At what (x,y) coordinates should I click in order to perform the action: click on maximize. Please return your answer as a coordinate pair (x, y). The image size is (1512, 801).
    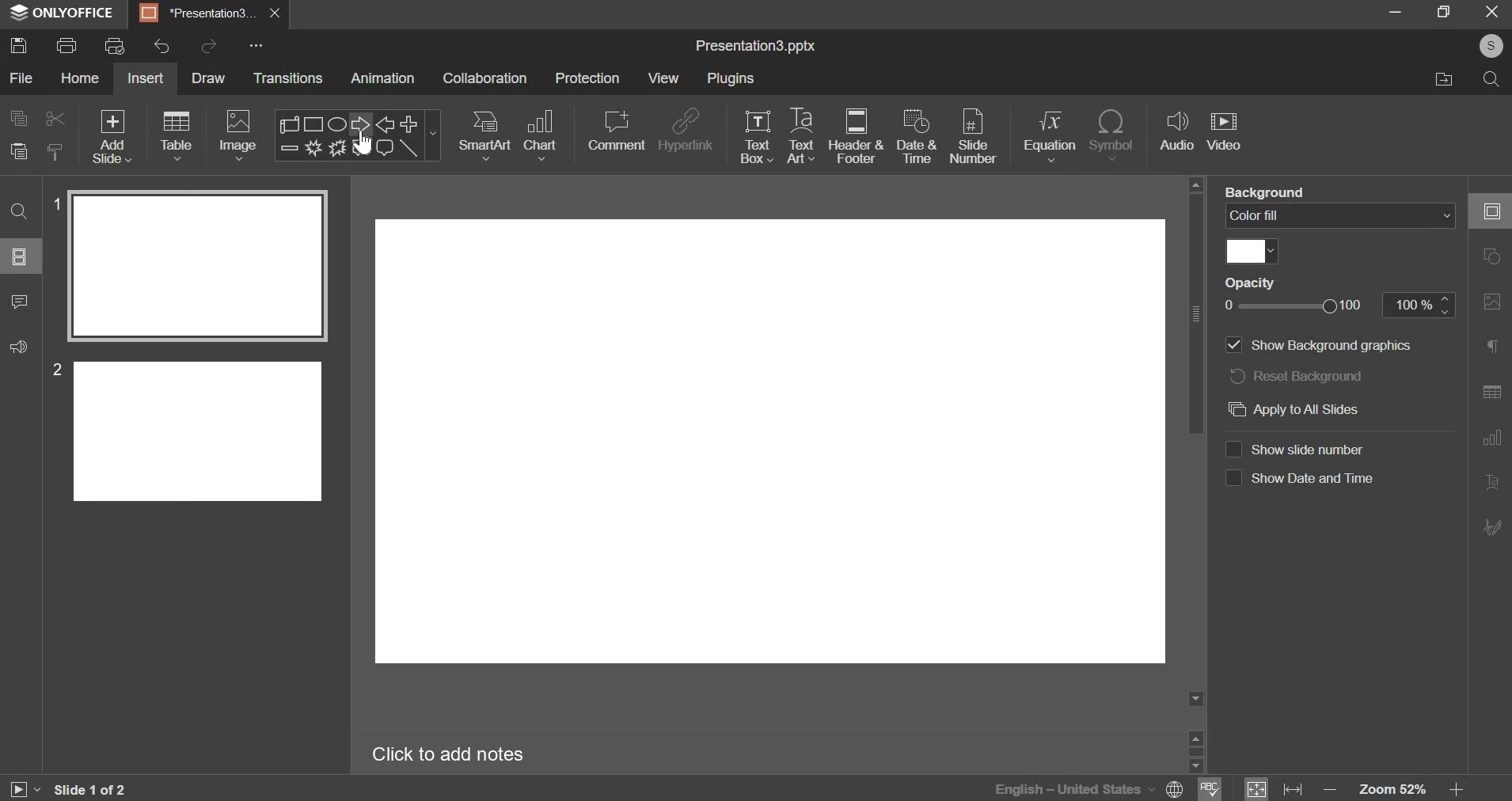
    Looking at the image, I should click on (1446, 11).